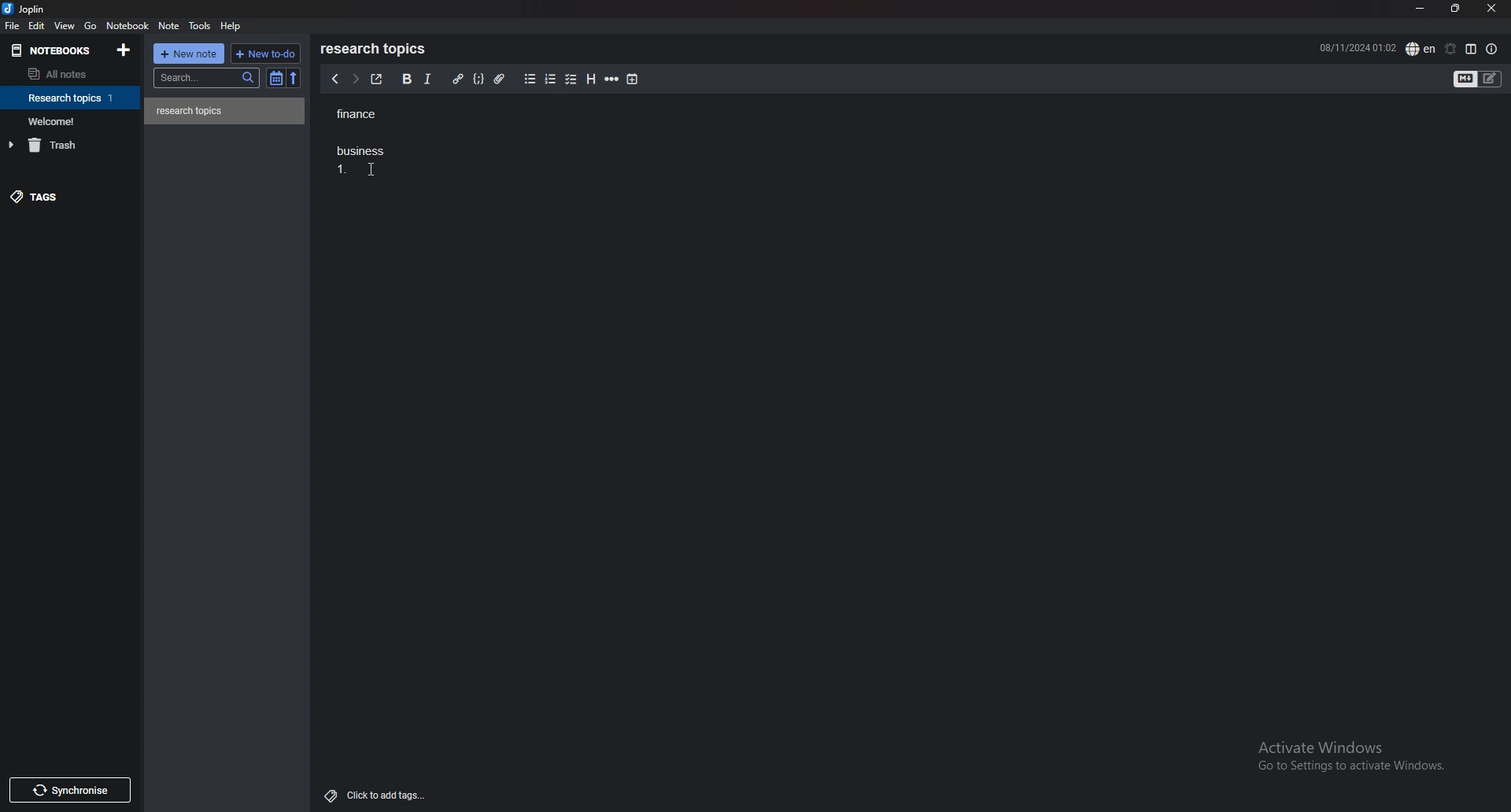 The width and height of the screenshot is (1511, 812). I want to click on tools, so click(200, 26).